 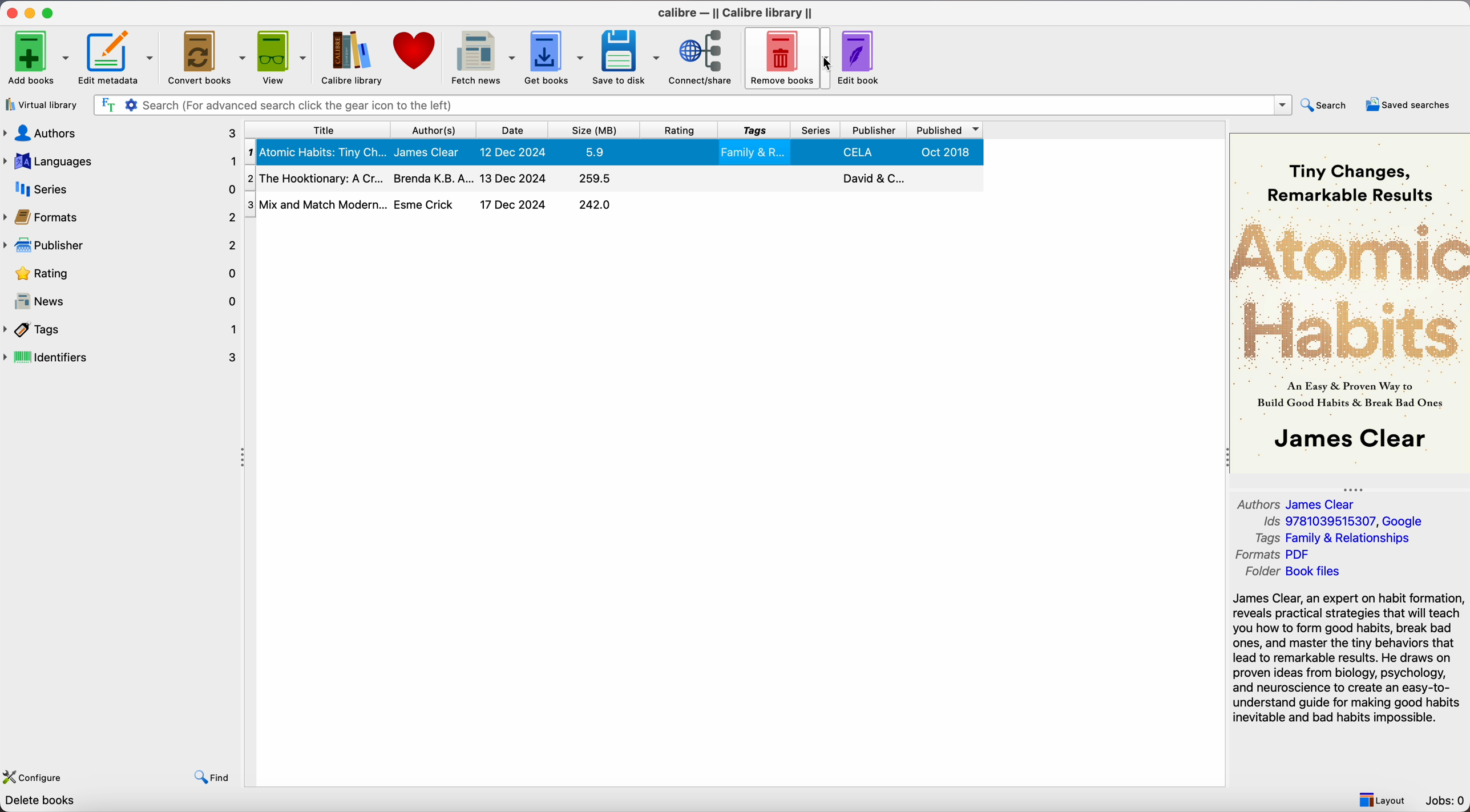 What do you see at coordinates (282, 57) in the screenshot?
I see `view` at bounding box center [282, 57].